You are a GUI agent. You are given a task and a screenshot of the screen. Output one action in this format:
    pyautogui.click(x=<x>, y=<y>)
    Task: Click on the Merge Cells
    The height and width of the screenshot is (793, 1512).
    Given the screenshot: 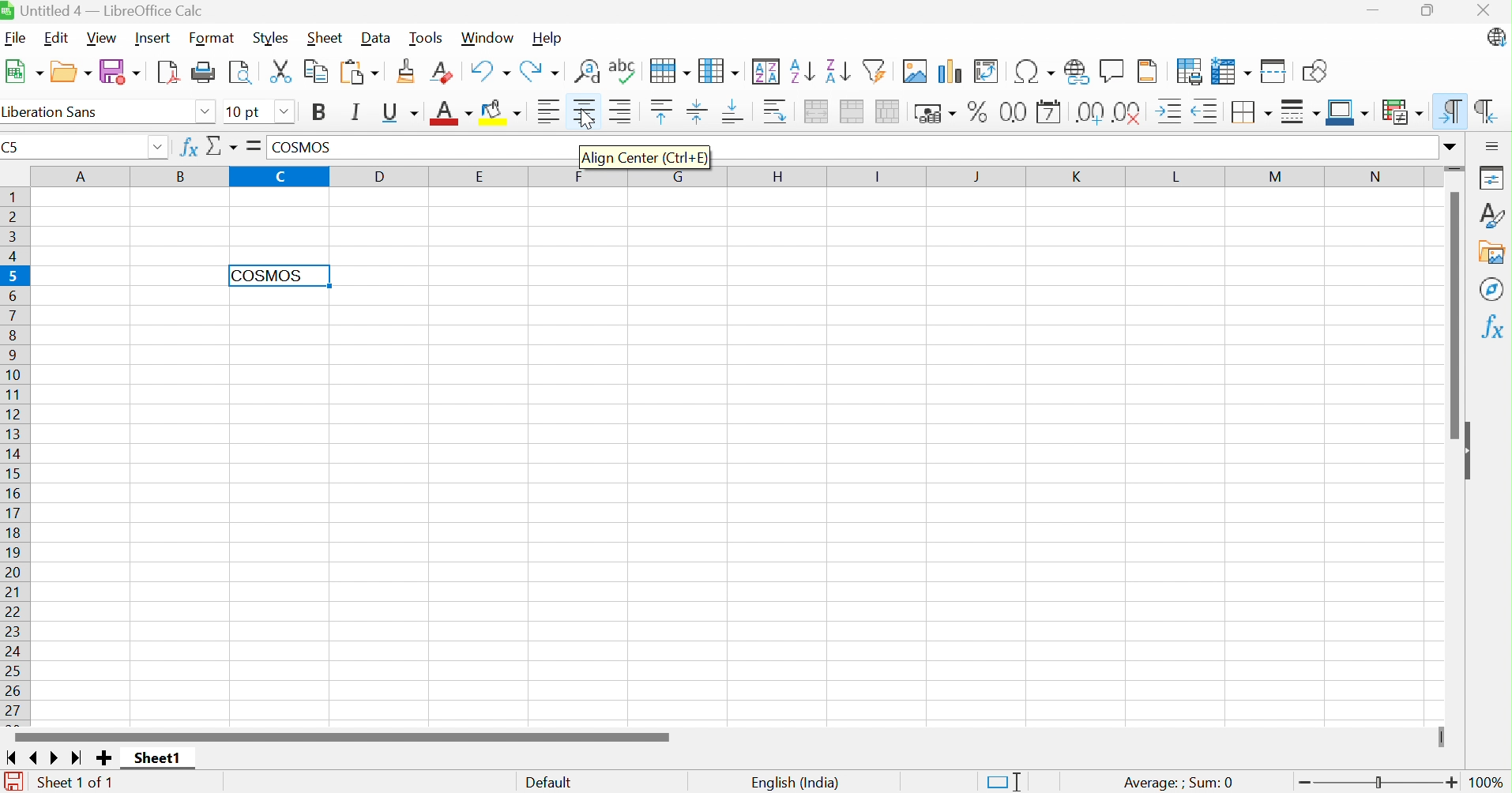 What is the action you would take?
    pyautogui.click(x=852, y=113)
    